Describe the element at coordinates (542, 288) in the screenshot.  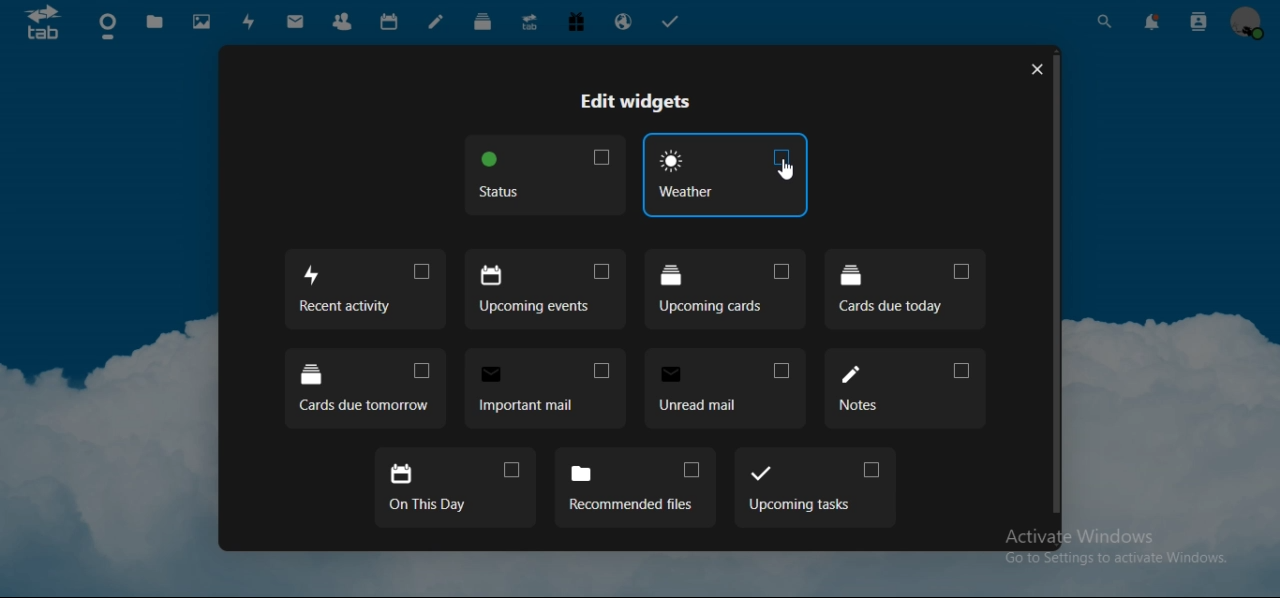
I see `upcoming events` at that location.